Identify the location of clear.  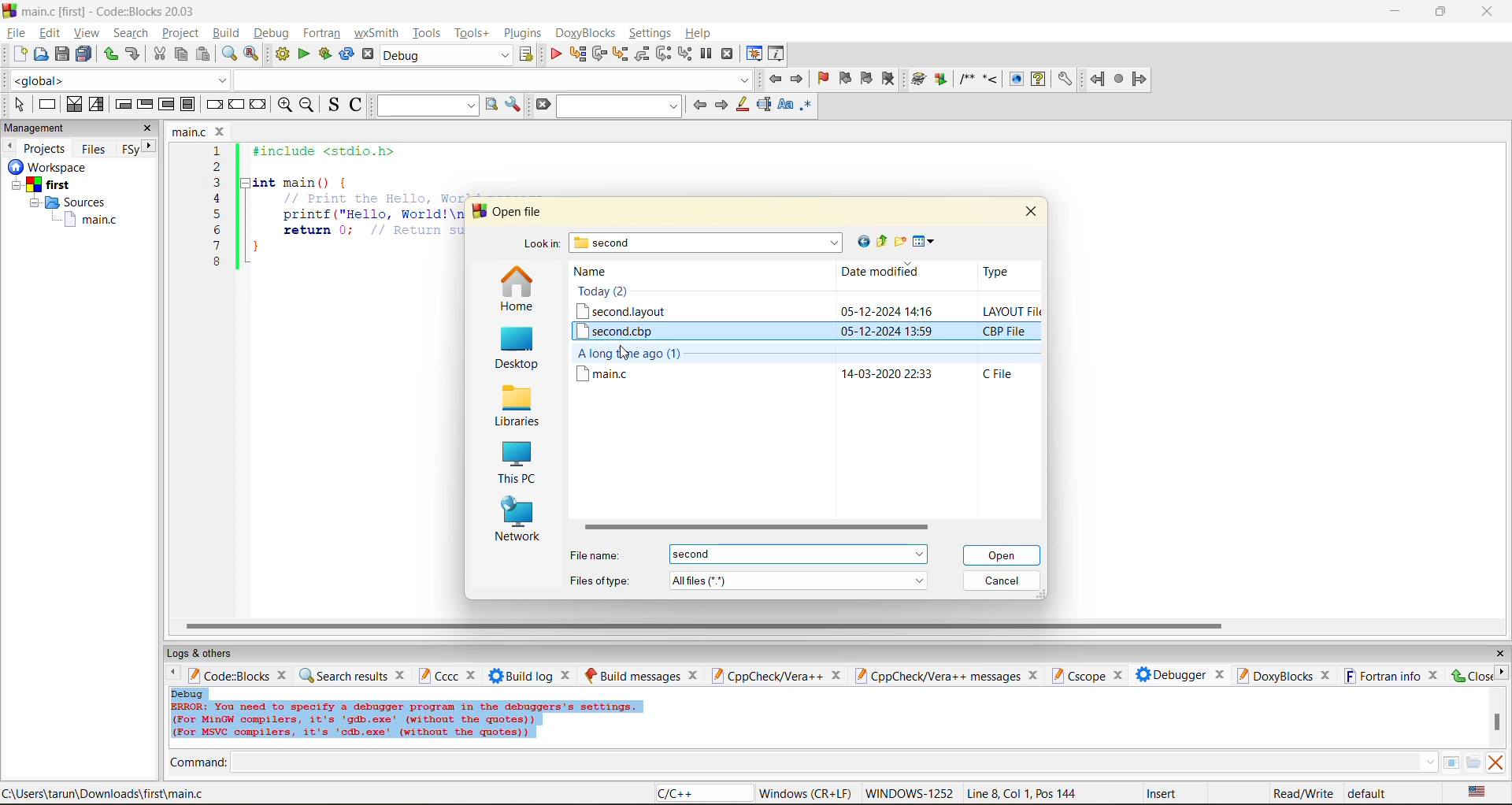
(542, 105).